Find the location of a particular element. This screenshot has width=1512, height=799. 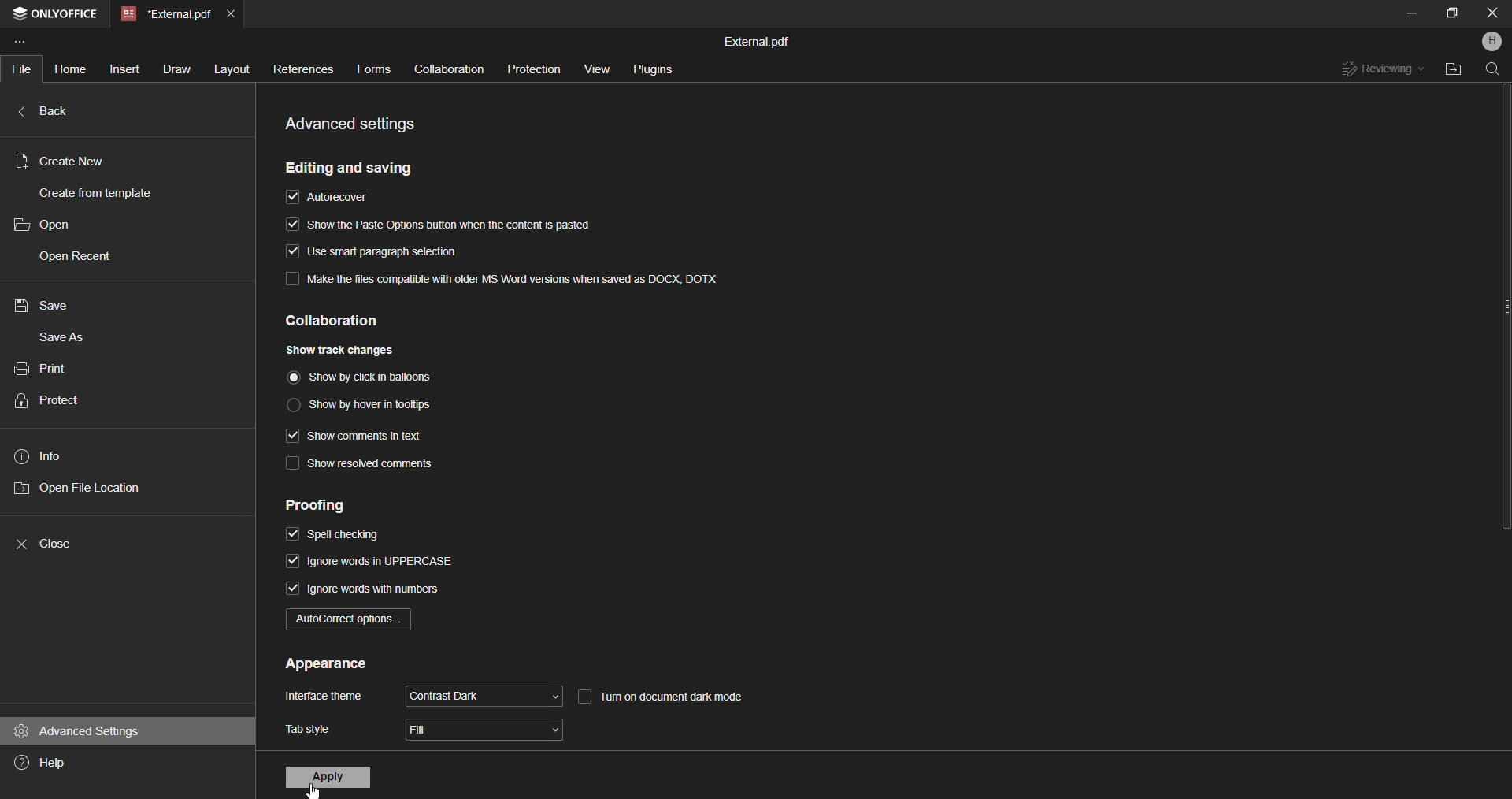

open recent is located at coordinates (76, 258).